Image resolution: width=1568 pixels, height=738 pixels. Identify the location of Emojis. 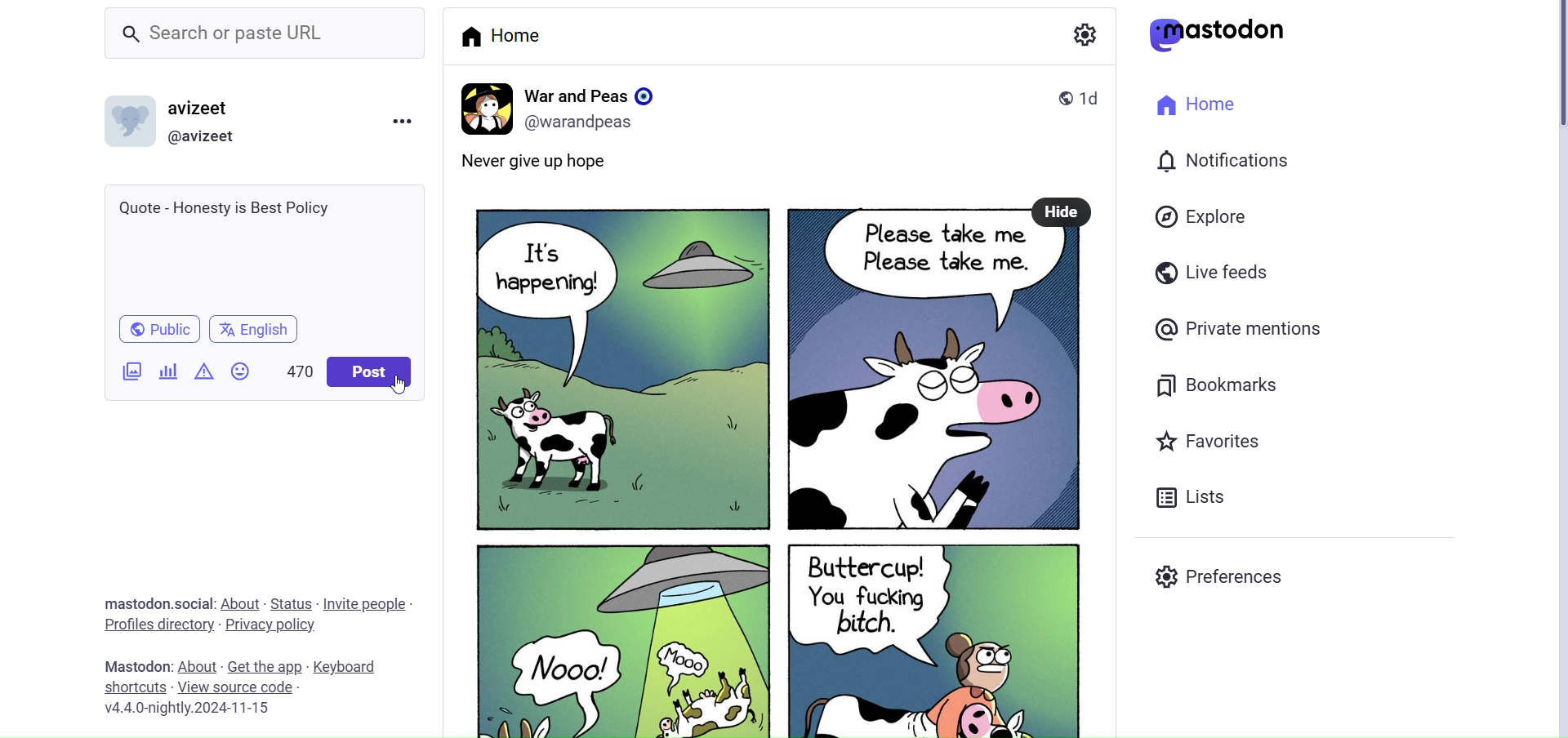
(239, 370).